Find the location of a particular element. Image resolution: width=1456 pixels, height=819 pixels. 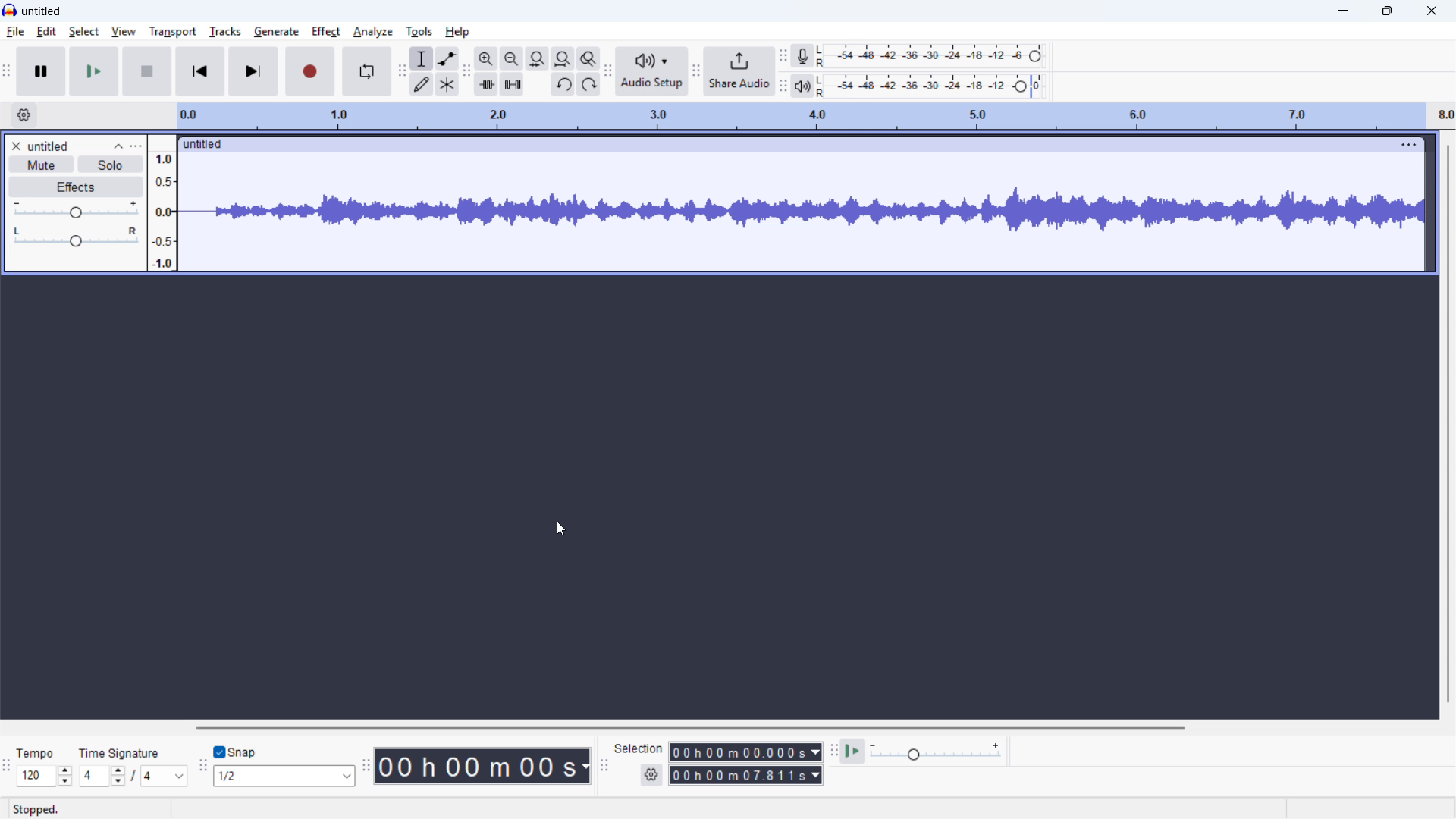

envelope tool is located at coordinates (447, 58).